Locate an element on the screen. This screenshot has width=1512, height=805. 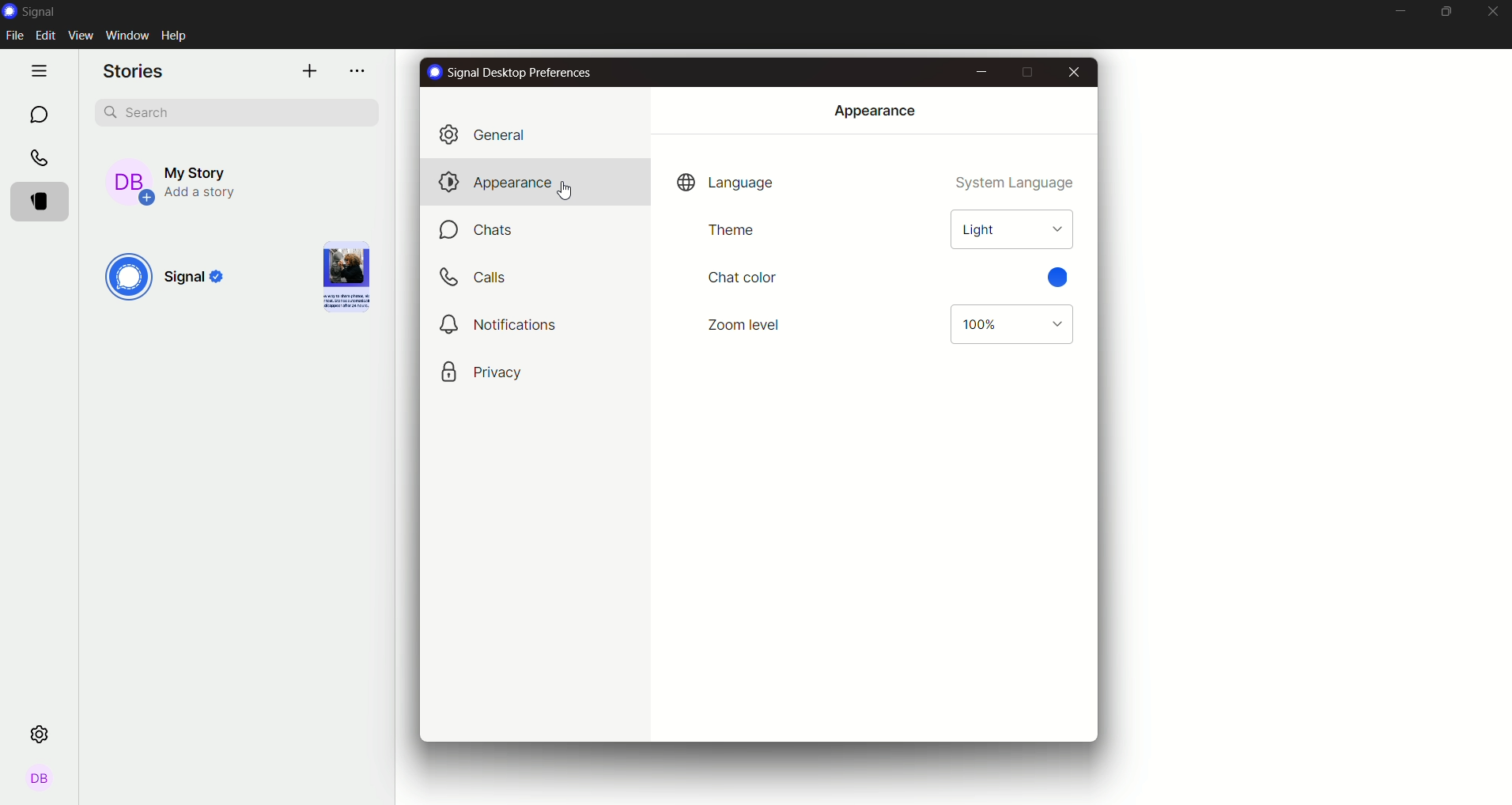
help is located at coordinates (178, 35).